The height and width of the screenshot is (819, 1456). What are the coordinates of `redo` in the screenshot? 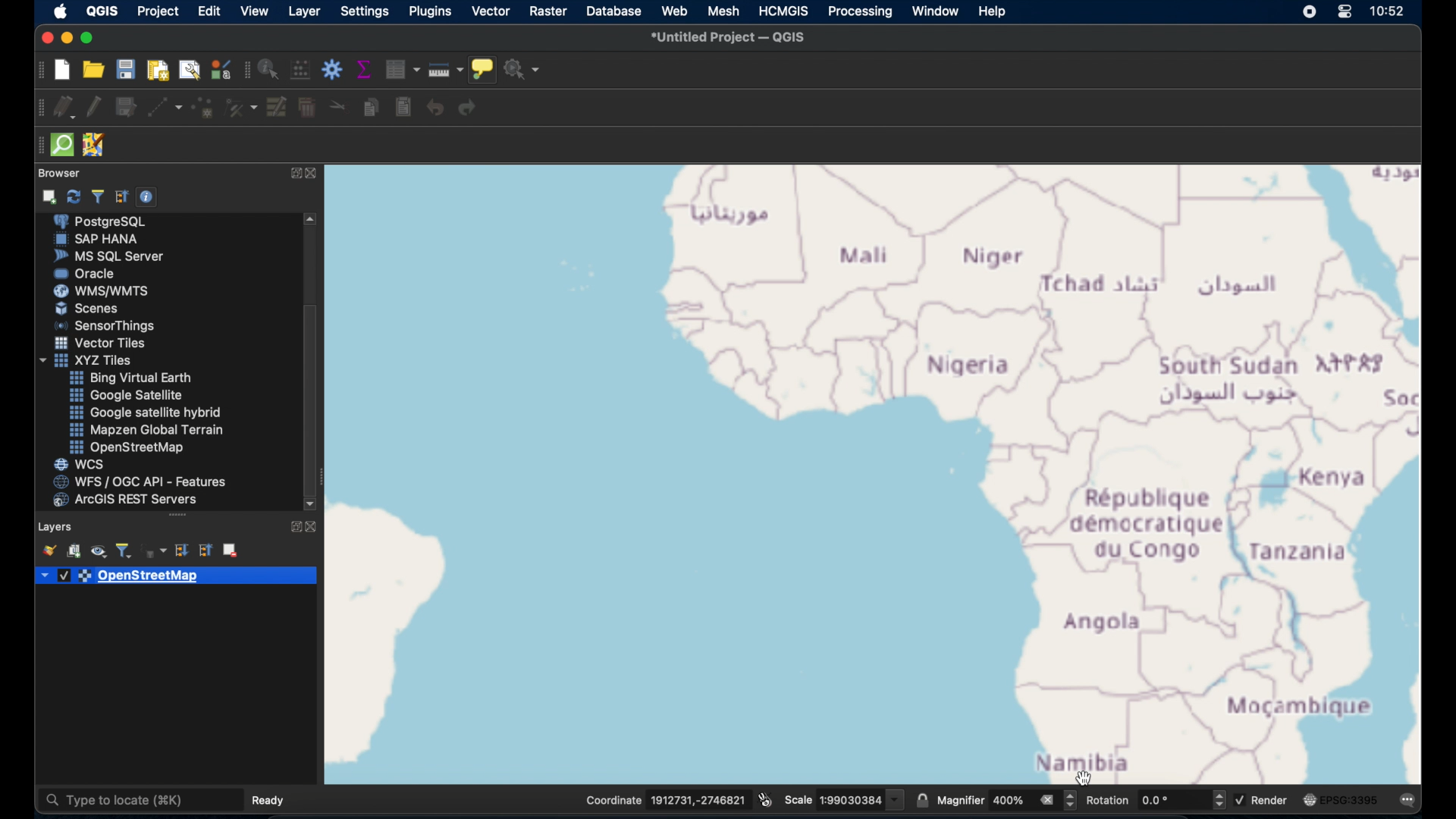 It's located at (472, 110).